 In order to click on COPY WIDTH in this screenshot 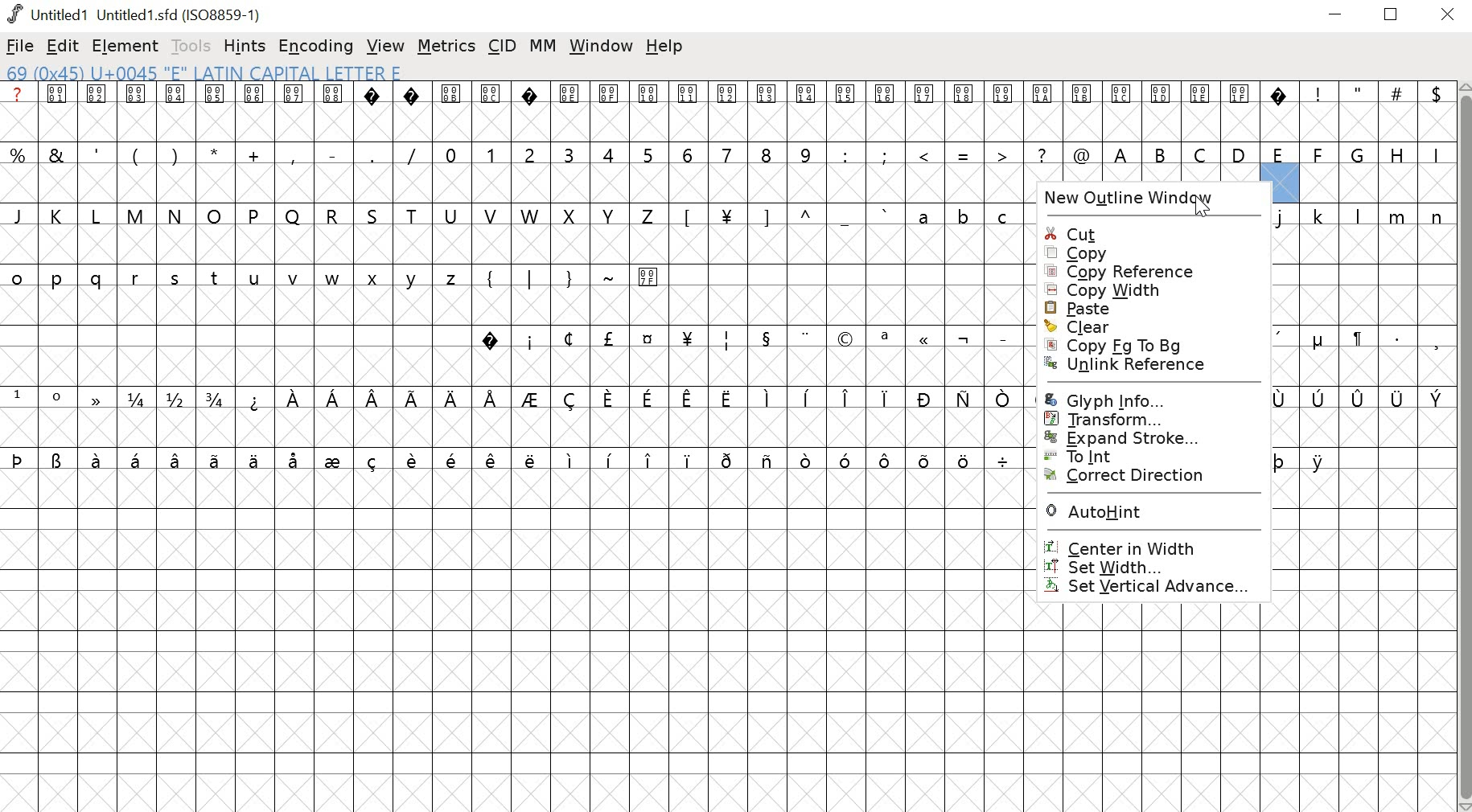, I will do `click(1145, 290)`.